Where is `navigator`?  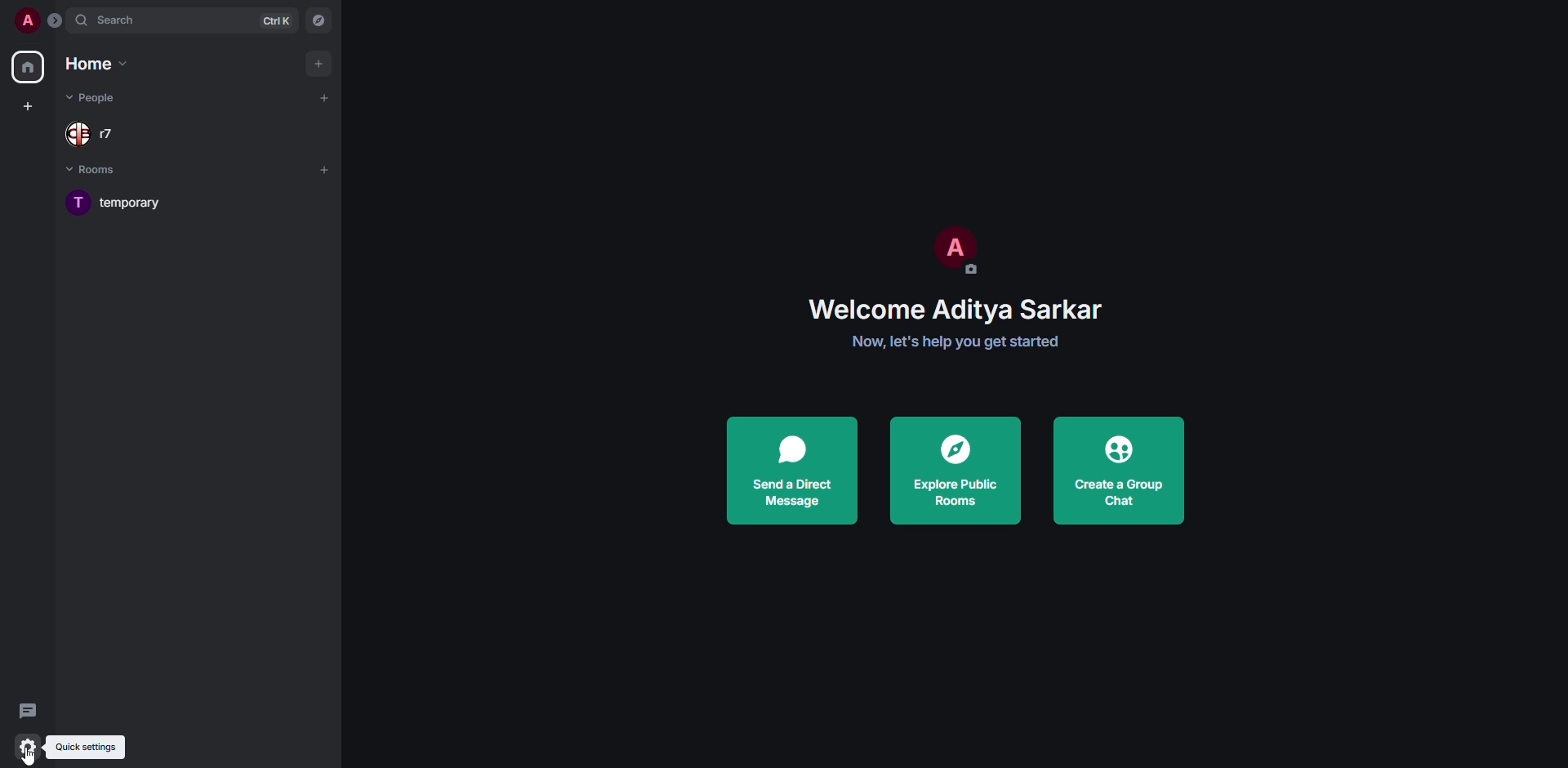
navigator is located at coordinates (319, 20).